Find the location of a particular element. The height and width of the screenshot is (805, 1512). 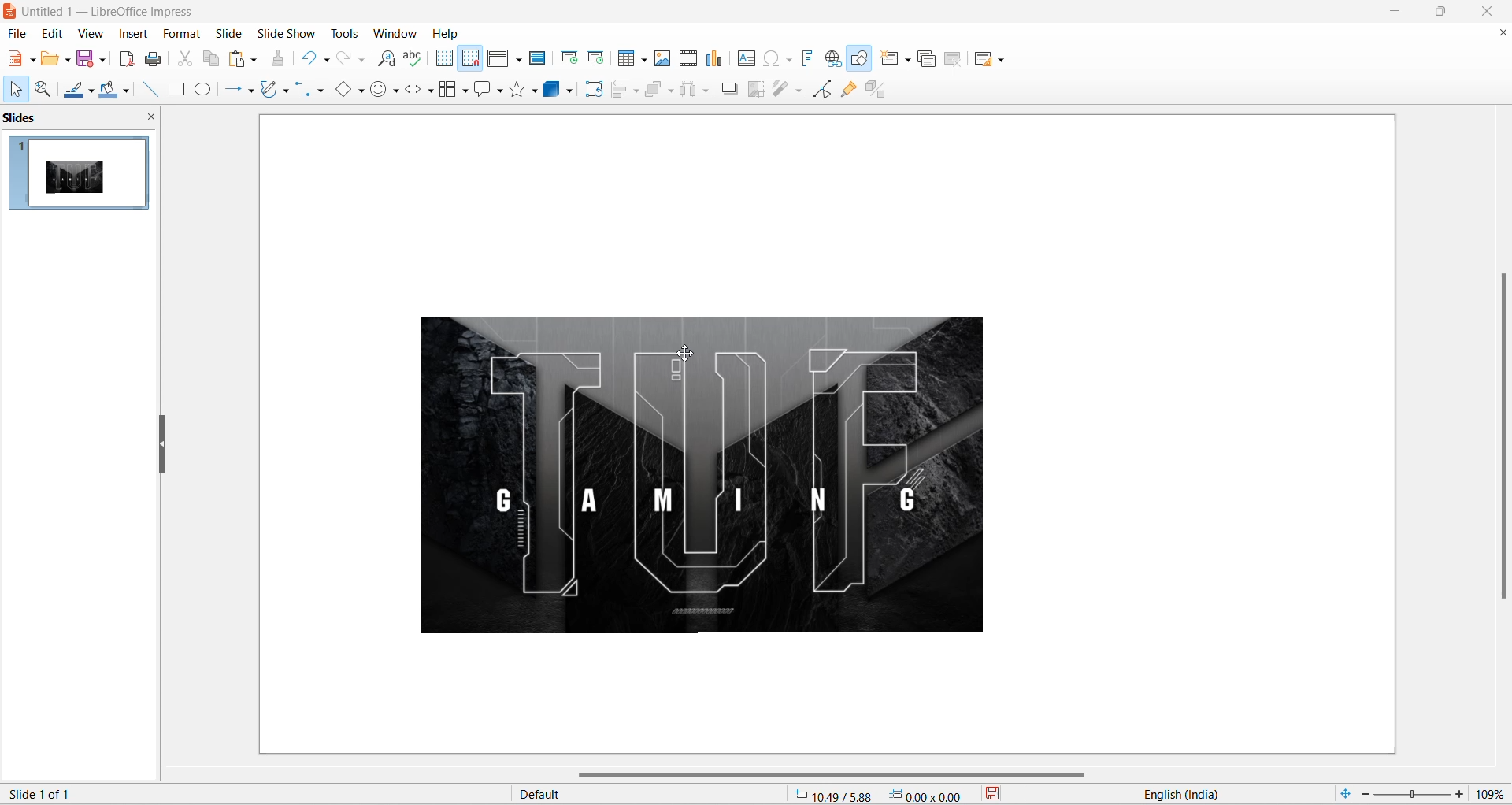

slide is located at coordinates (229, 33).